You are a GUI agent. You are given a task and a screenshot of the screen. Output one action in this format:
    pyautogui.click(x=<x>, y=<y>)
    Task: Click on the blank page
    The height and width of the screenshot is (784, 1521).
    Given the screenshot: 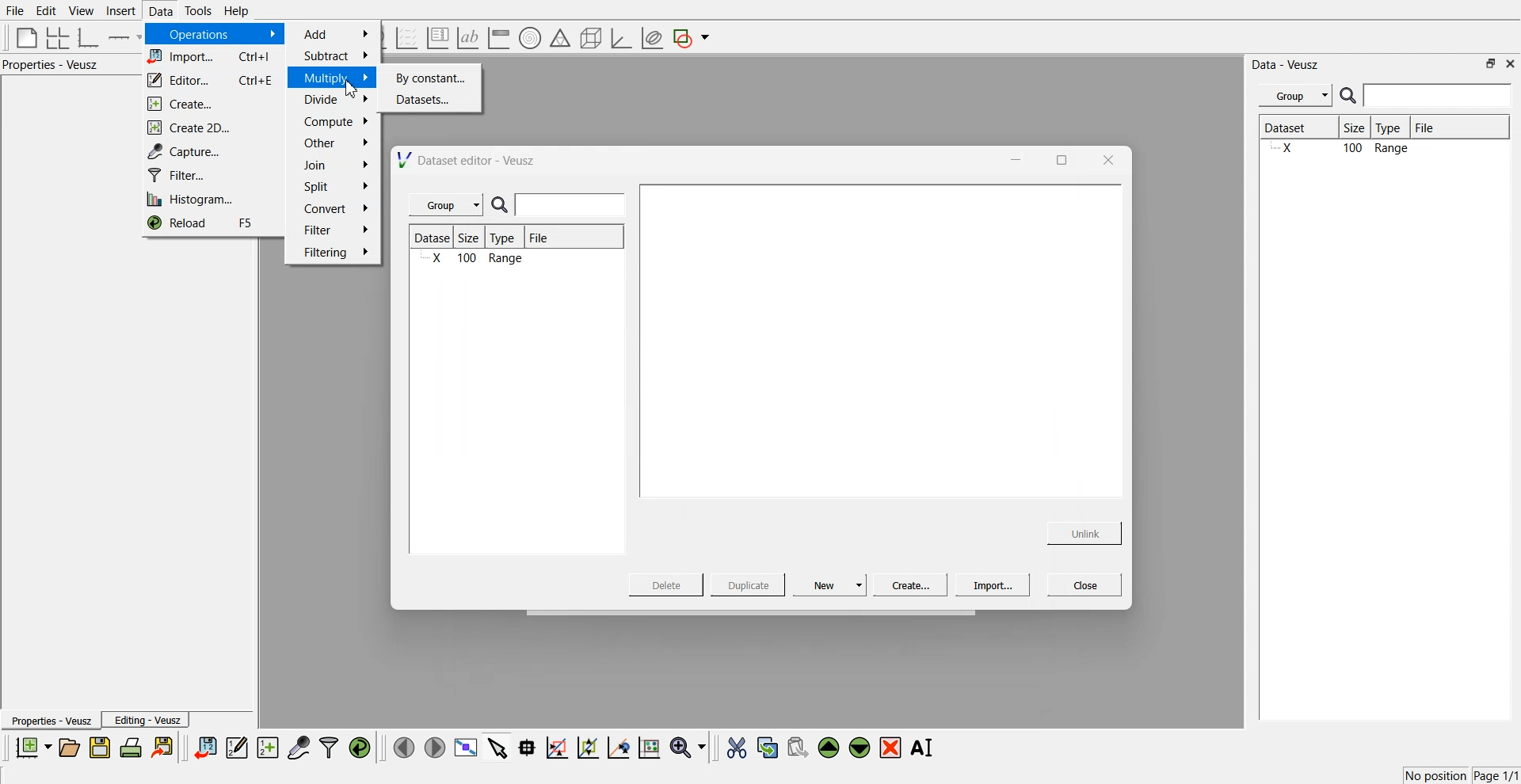 What is the action you would take?
    pyautogui.click(x=23, y=36)
    